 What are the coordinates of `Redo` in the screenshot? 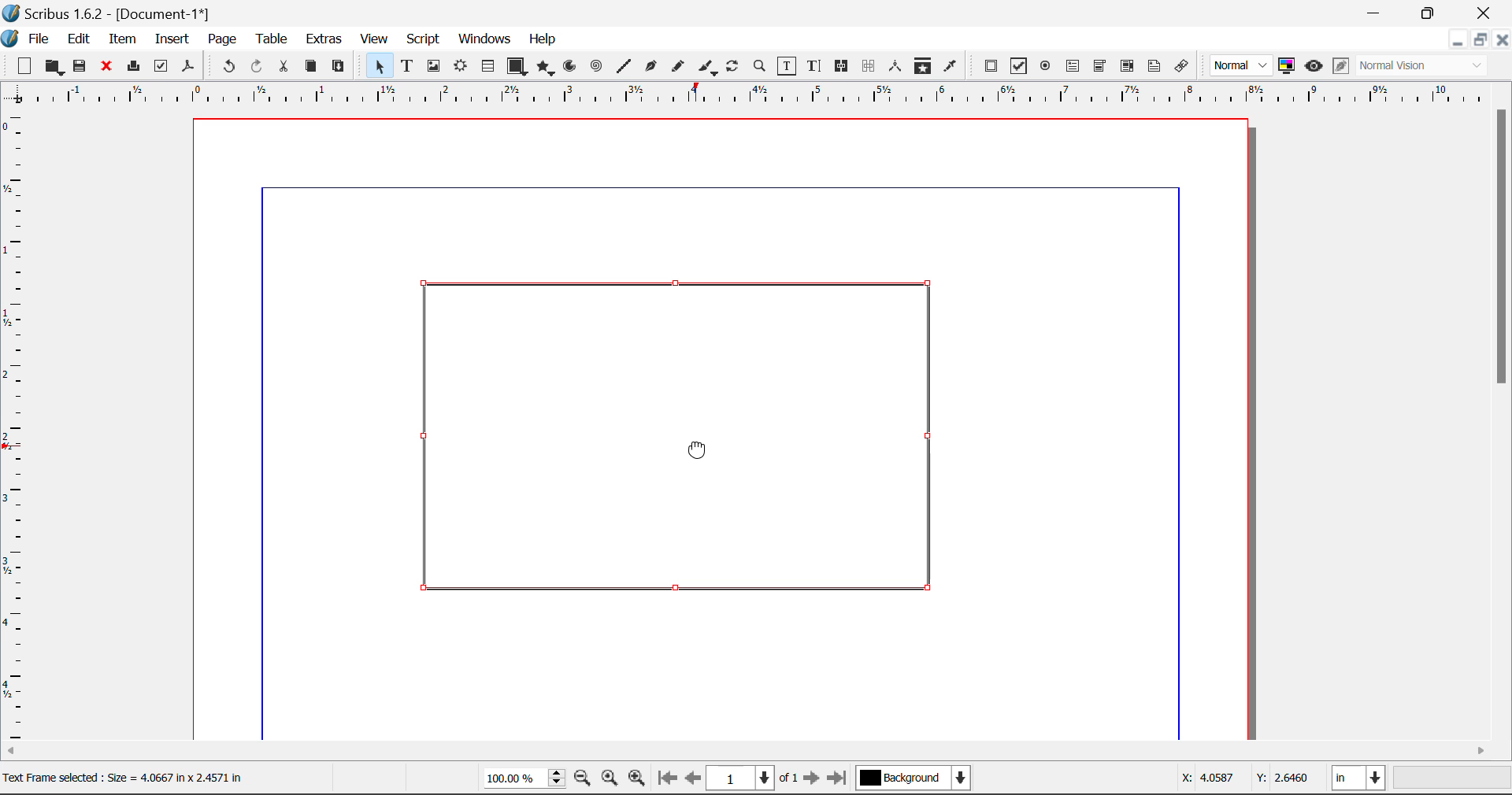 It's located at (260, 67).